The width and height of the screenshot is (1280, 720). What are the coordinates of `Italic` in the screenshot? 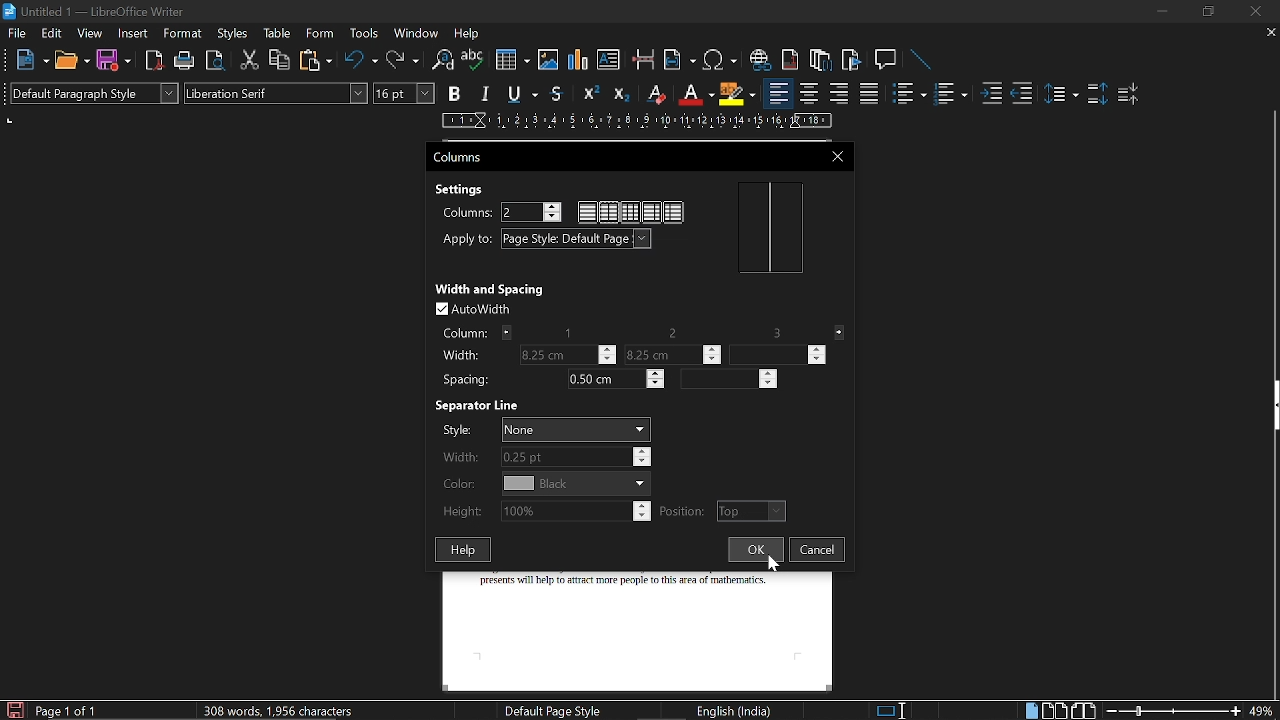 It's located at (486, 94).